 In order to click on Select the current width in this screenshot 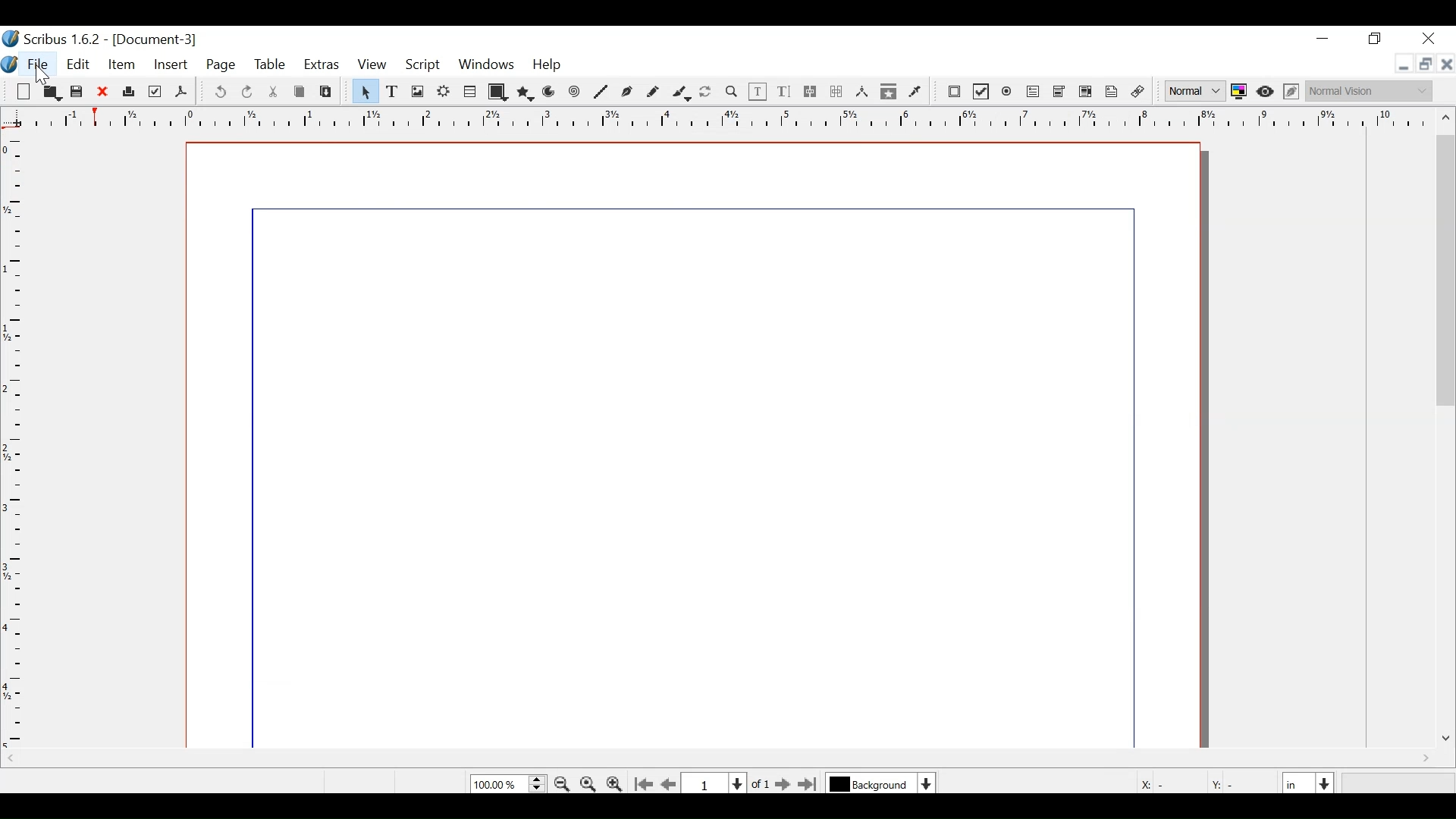, I will do `click(1298, 782)`.